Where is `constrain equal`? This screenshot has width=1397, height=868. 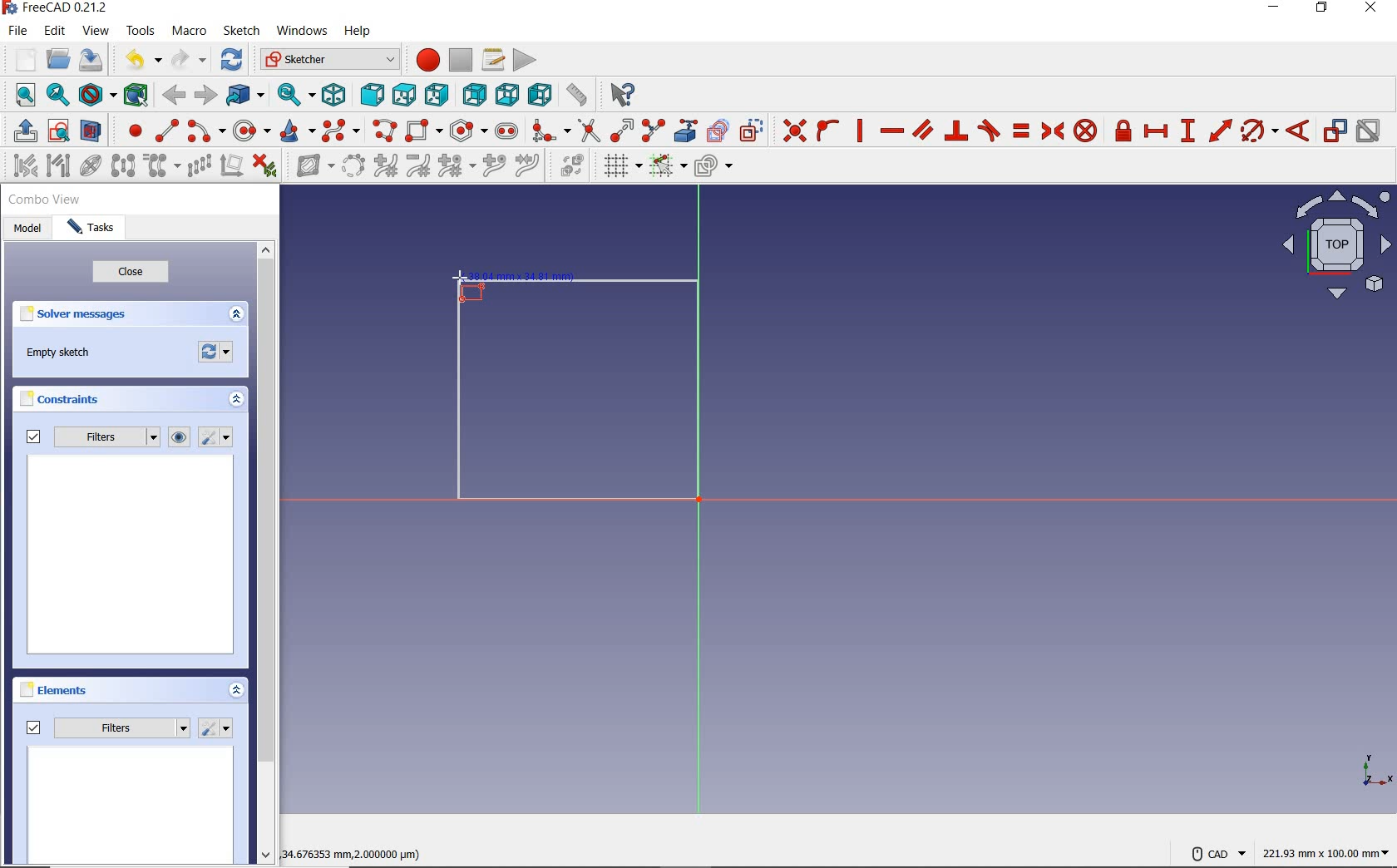
constrain equal is located at coordinates (1020, 131).